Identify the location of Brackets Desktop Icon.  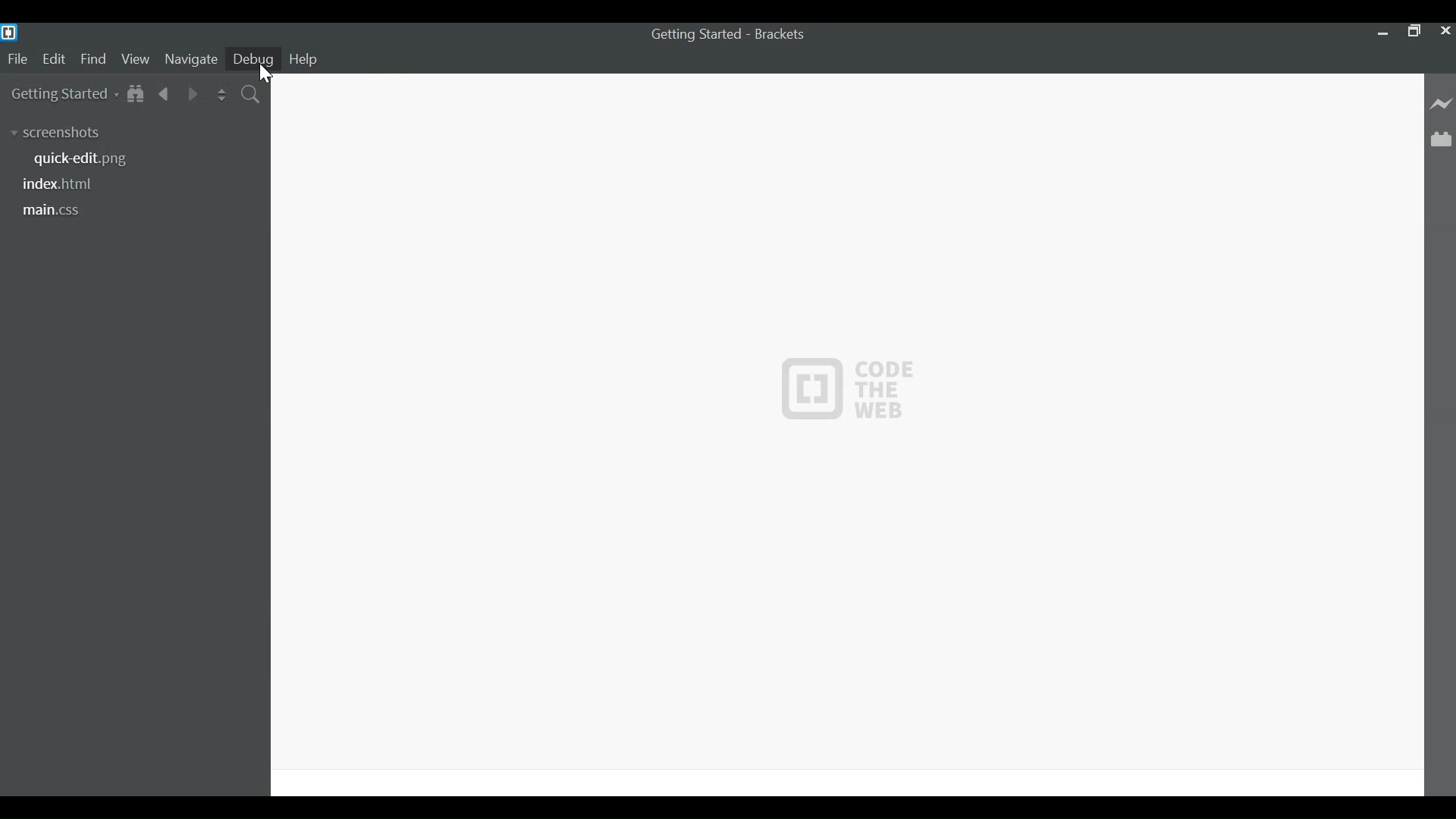
(11, 32).